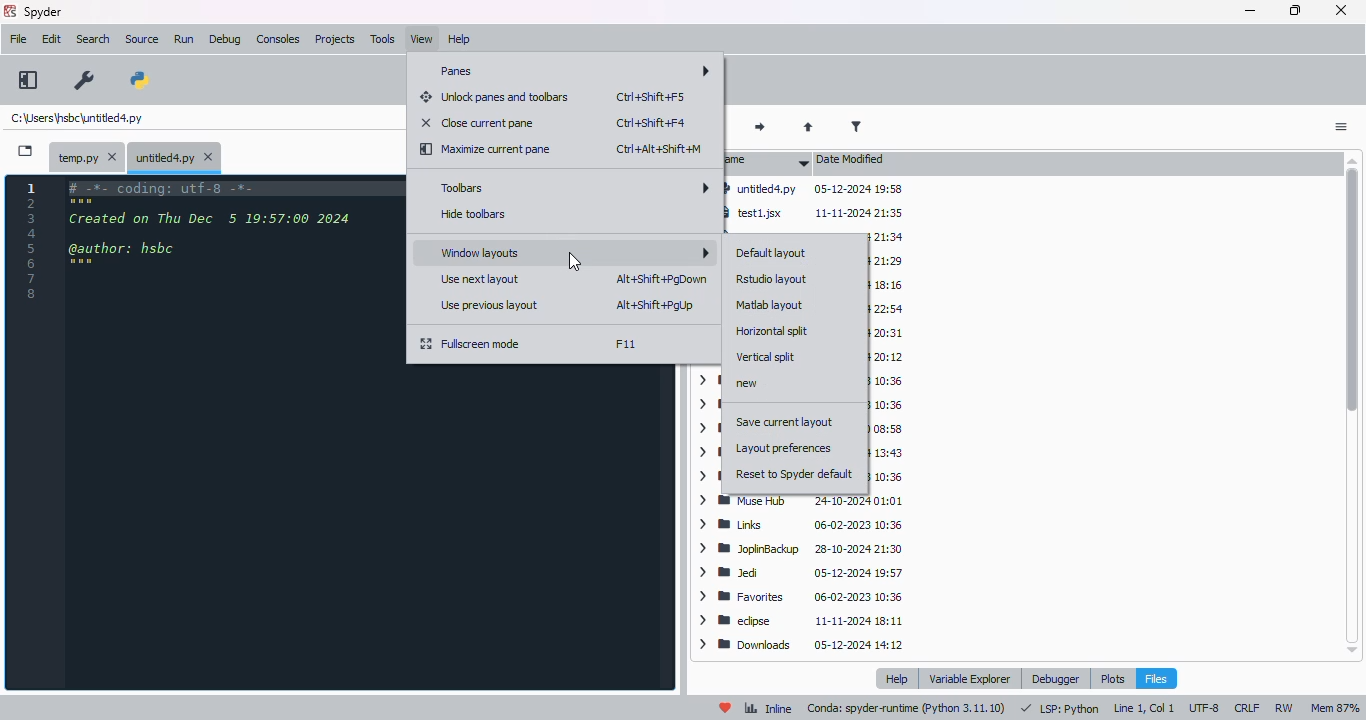 This screenshot has width=1366, height=720. Describe the element at coordinates (1206, 708) in the screenshot. I see `UTF-8` at that location.